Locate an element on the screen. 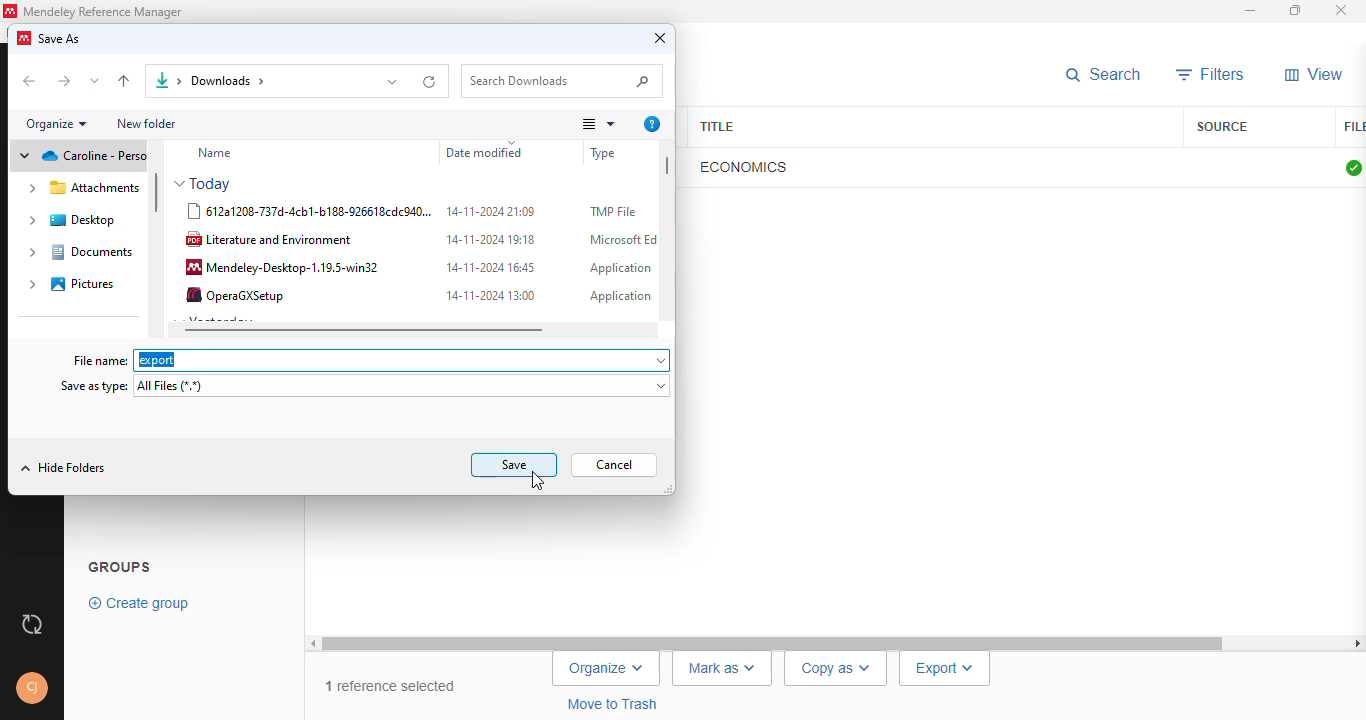 The width and height of the screenshot is (1366, 720). forward is located at coordinates (63, 81).